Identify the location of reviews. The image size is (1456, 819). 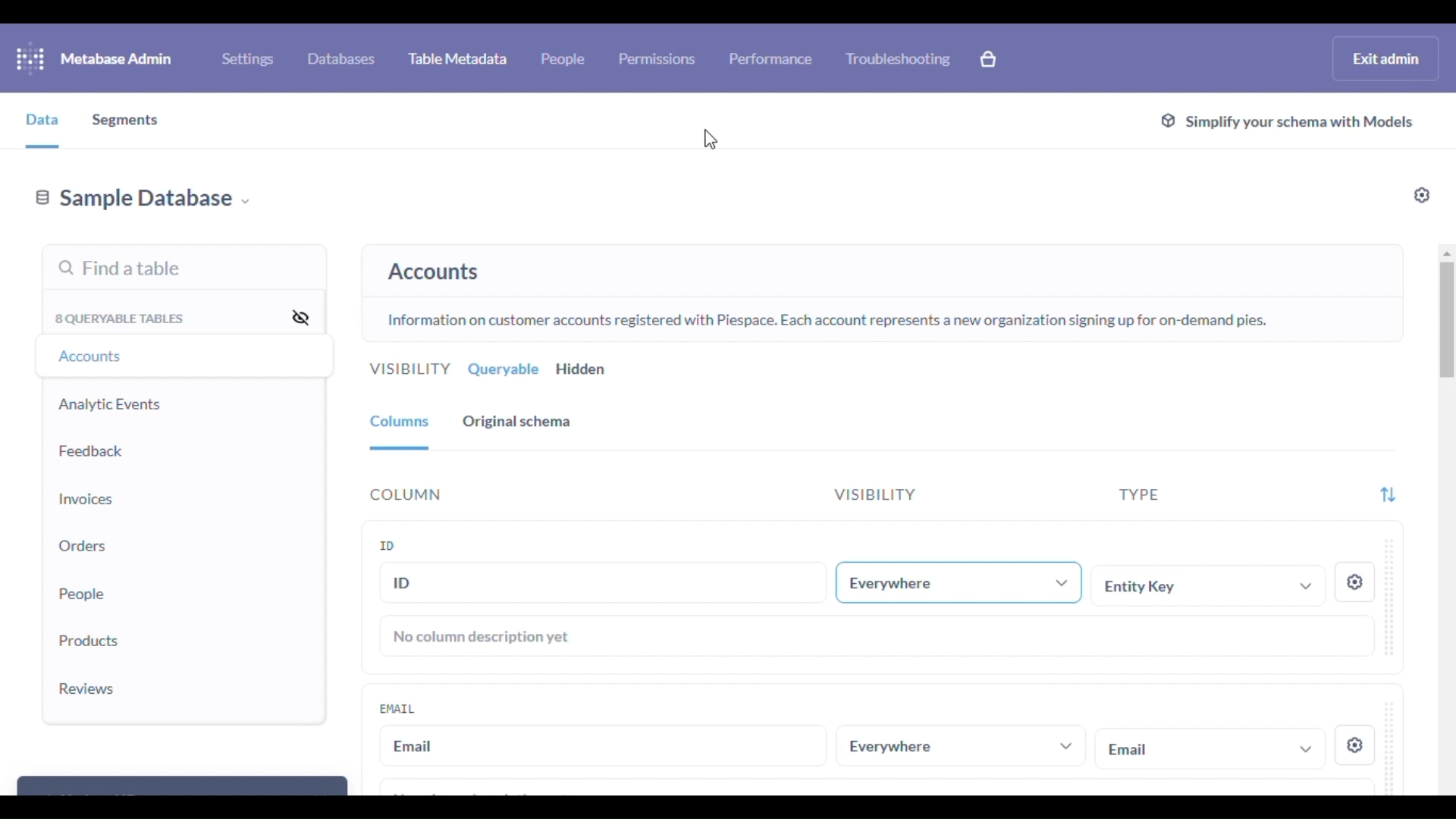
(87, 689).